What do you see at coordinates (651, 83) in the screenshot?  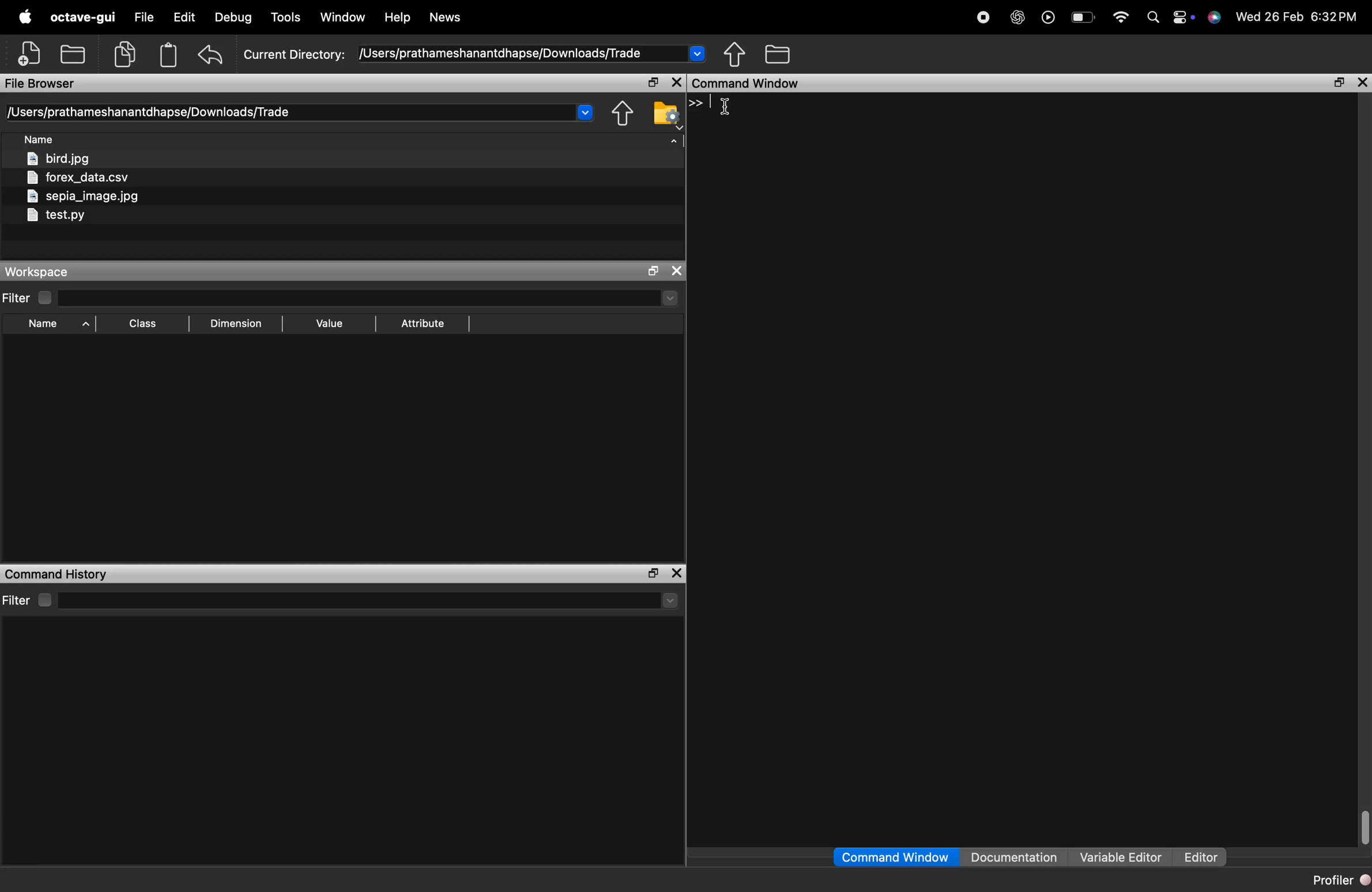 I see `maximize` at bounding box center [651, 83].